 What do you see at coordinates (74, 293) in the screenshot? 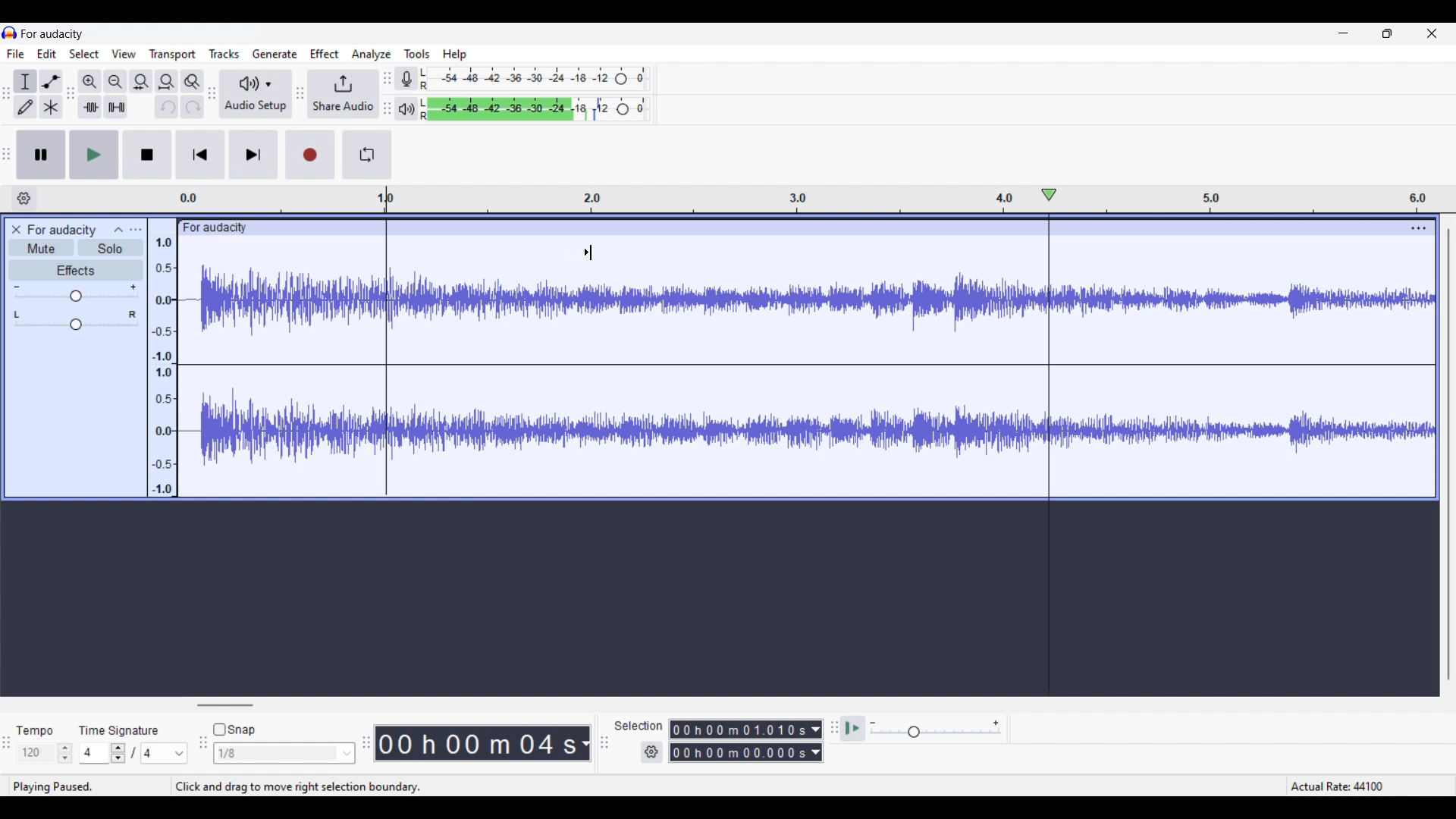
I see `Volume scale` at bounding box center [74, 293].